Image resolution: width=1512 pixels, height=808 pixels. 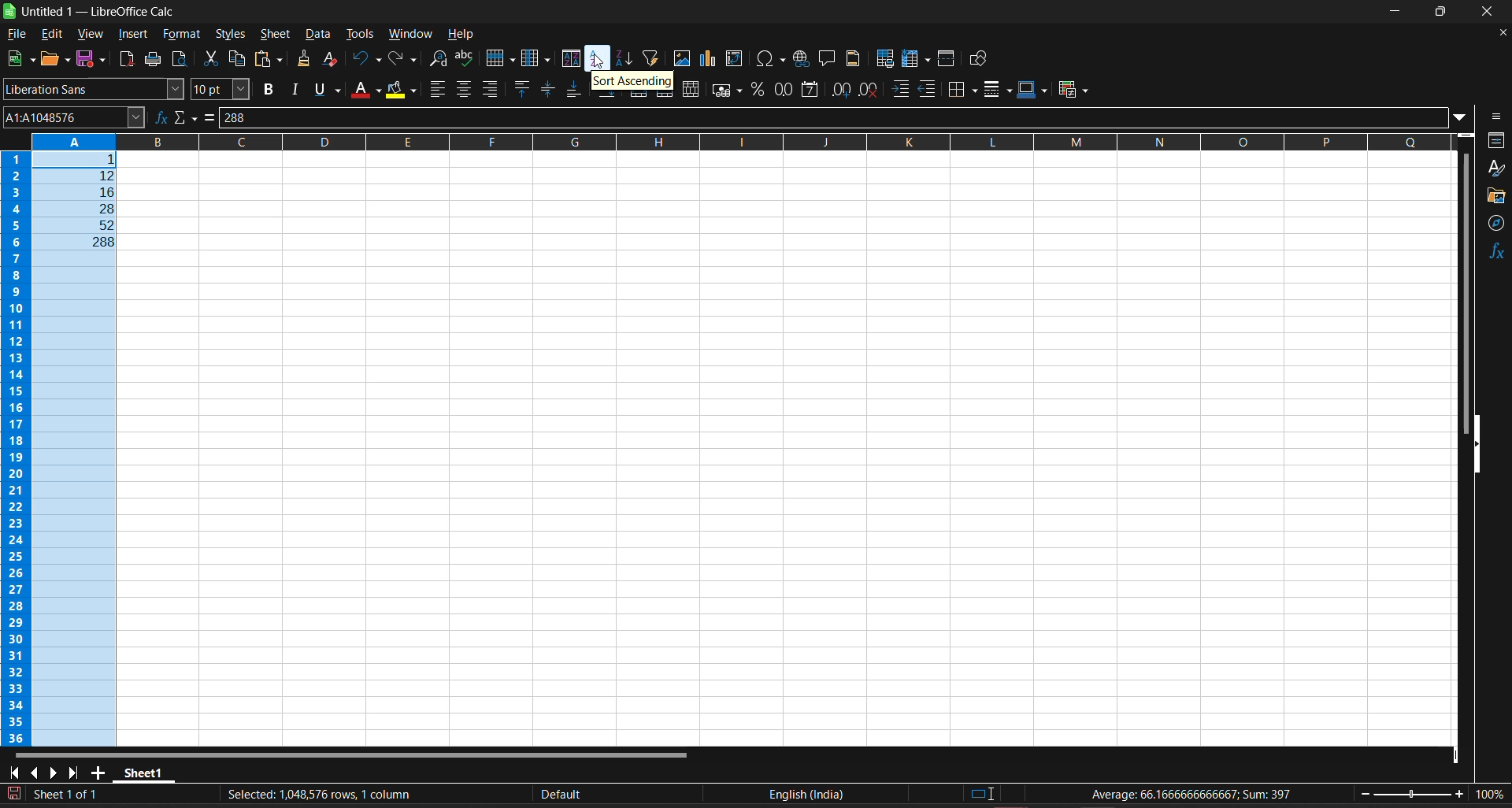 What do you see at coordinates (1492, 11) in the screenshot?
I see `close` at bounding box center [1492, 11].